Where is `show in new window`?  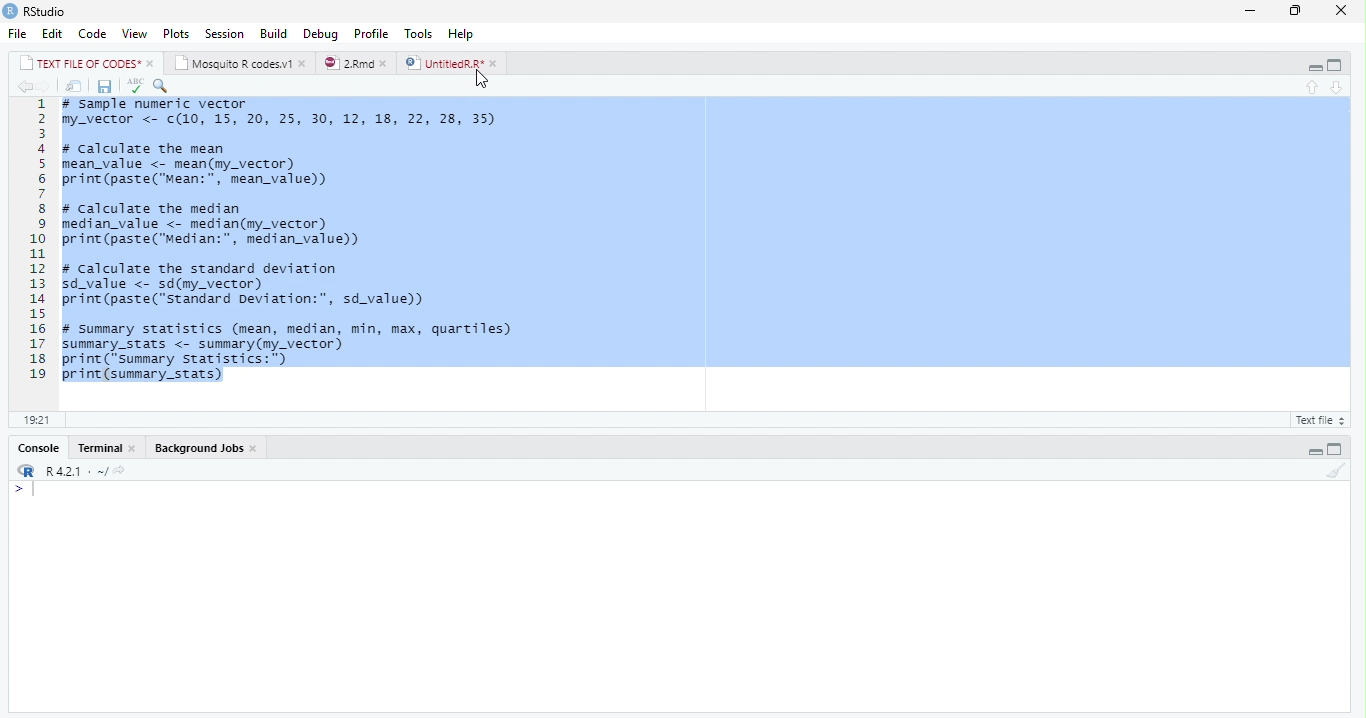 show in new window is located at coordinates (76, 88).